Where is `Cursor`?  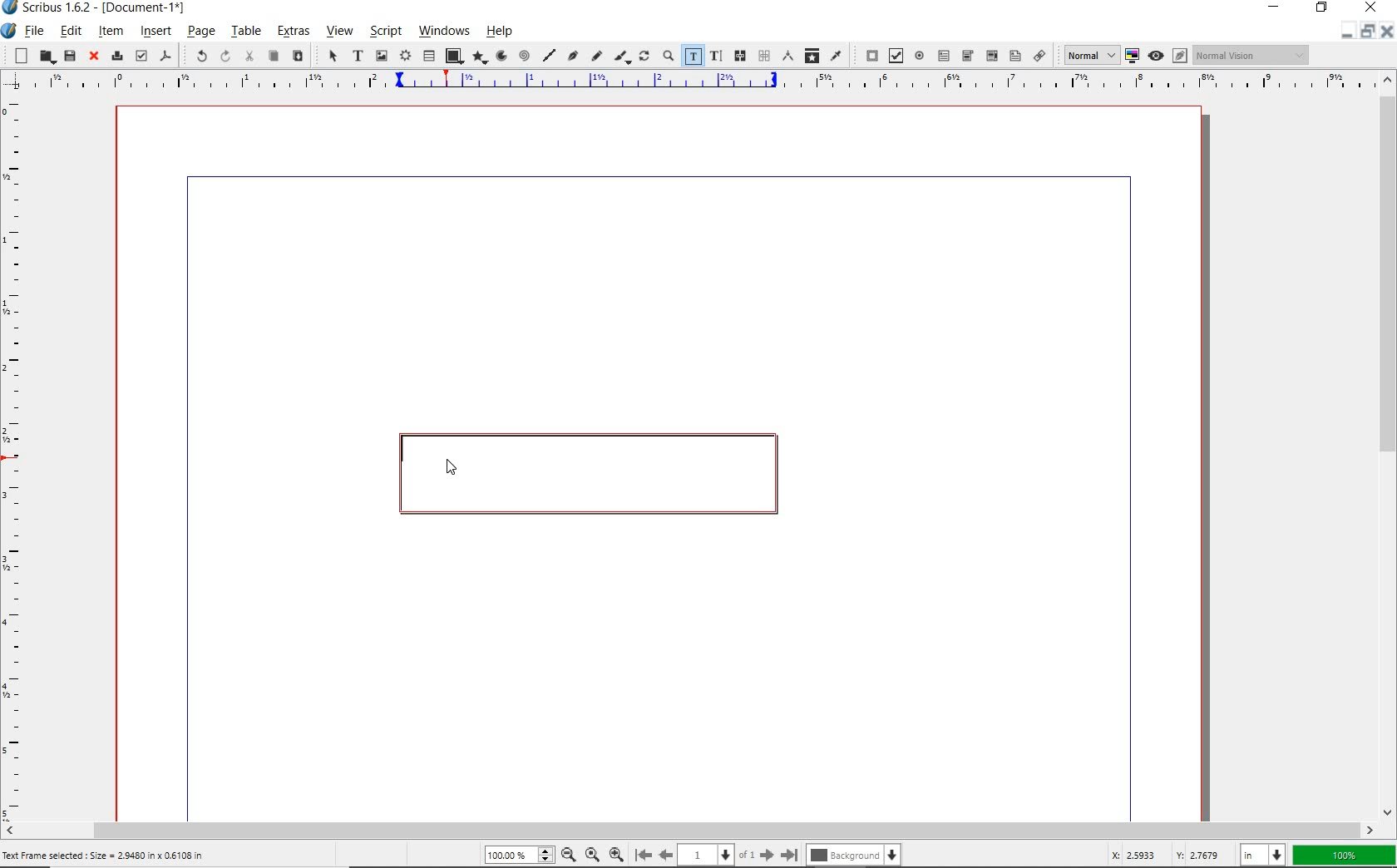
Cursor is located at coordinates (450, 461).